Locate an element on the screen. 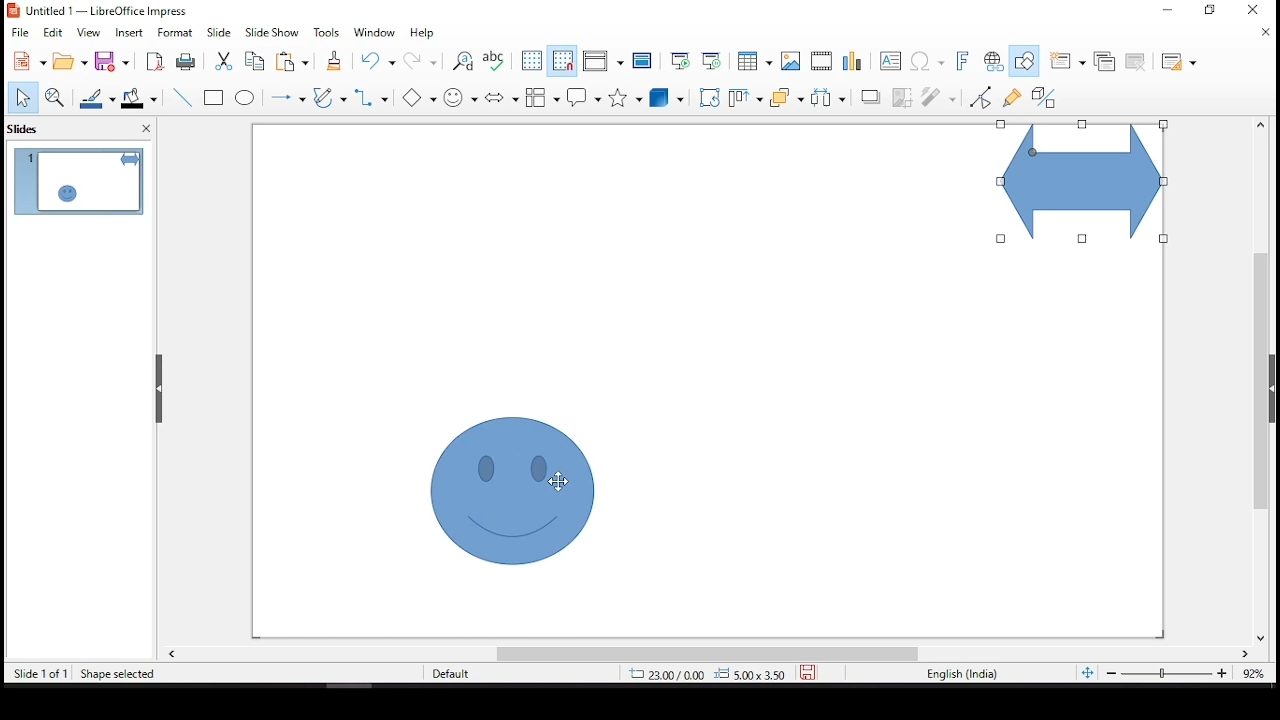 This screenshot has height=720, width=1280. fit slide to current window is located at coordinates (1087, 672).